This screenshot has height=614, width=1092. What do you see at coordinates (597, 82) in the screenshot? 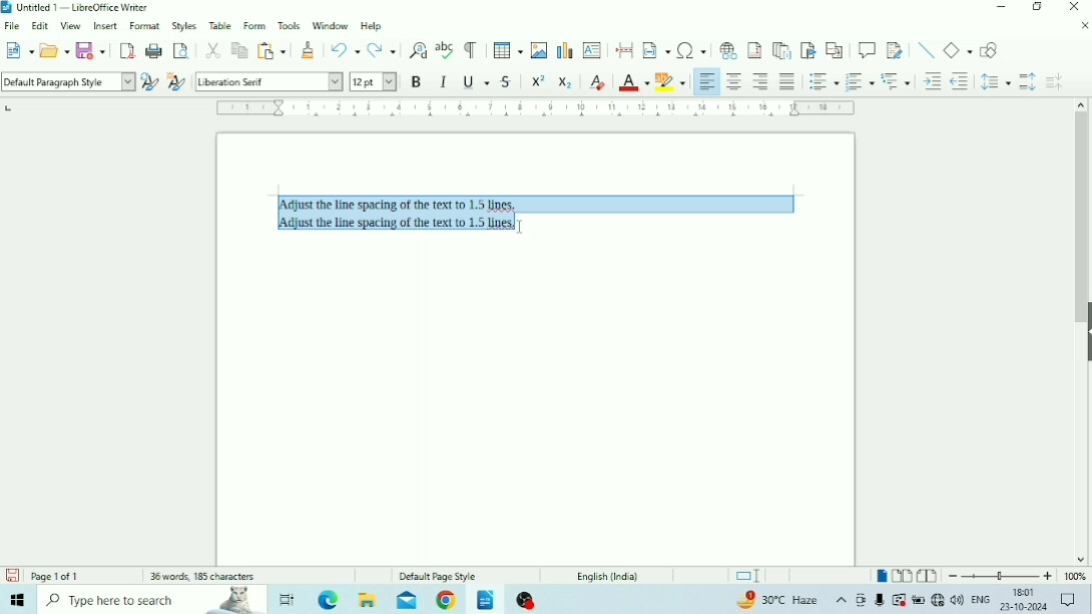
I see `Clear Direct Formatting` at bounding box center [597, 82].